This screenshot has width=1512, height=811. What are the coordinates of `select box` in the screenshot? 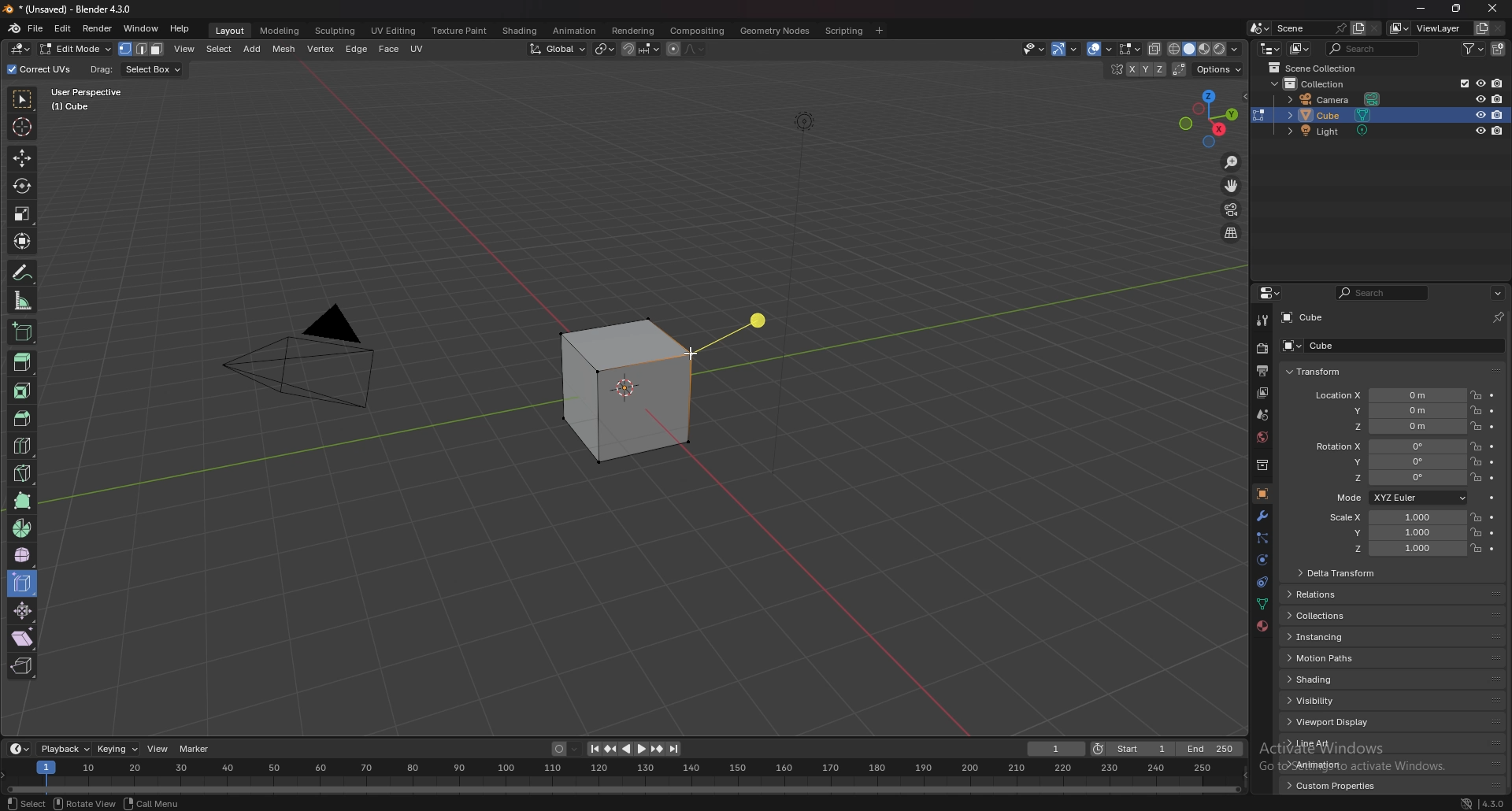 It's located at (154, 69).